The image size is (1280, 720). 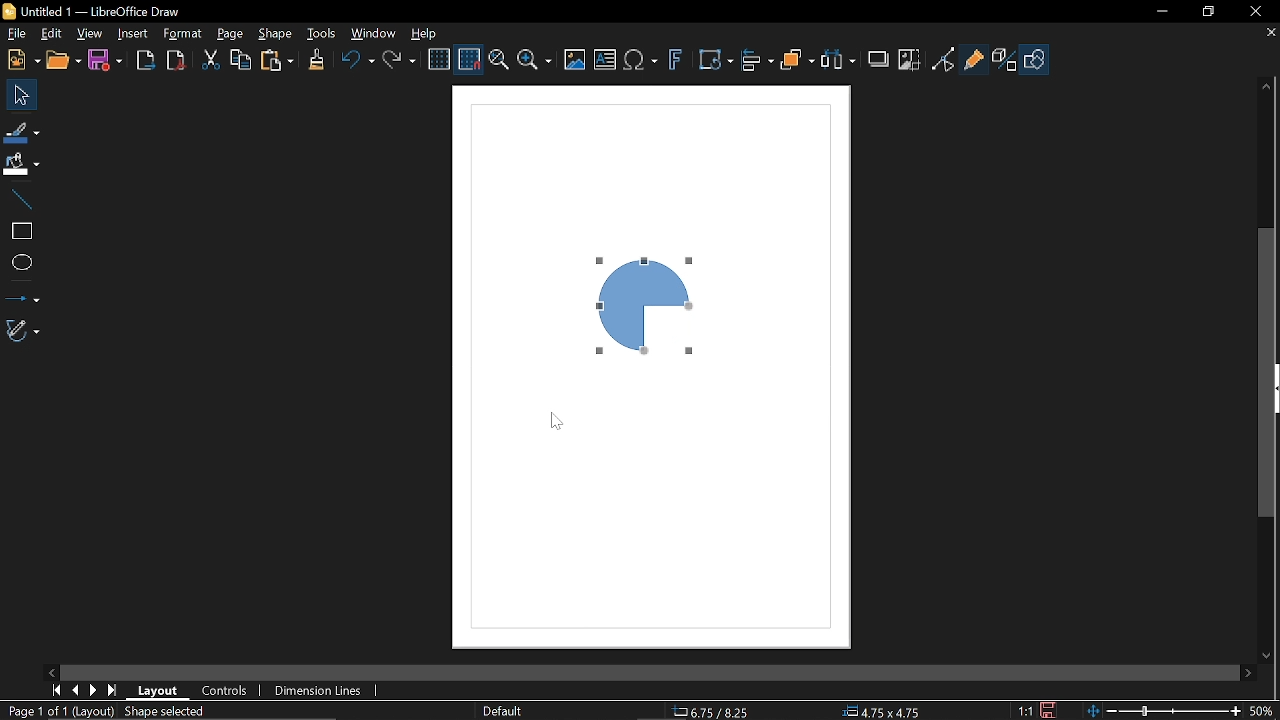 I want to click on Minimize, so click(x=1161, y=10).